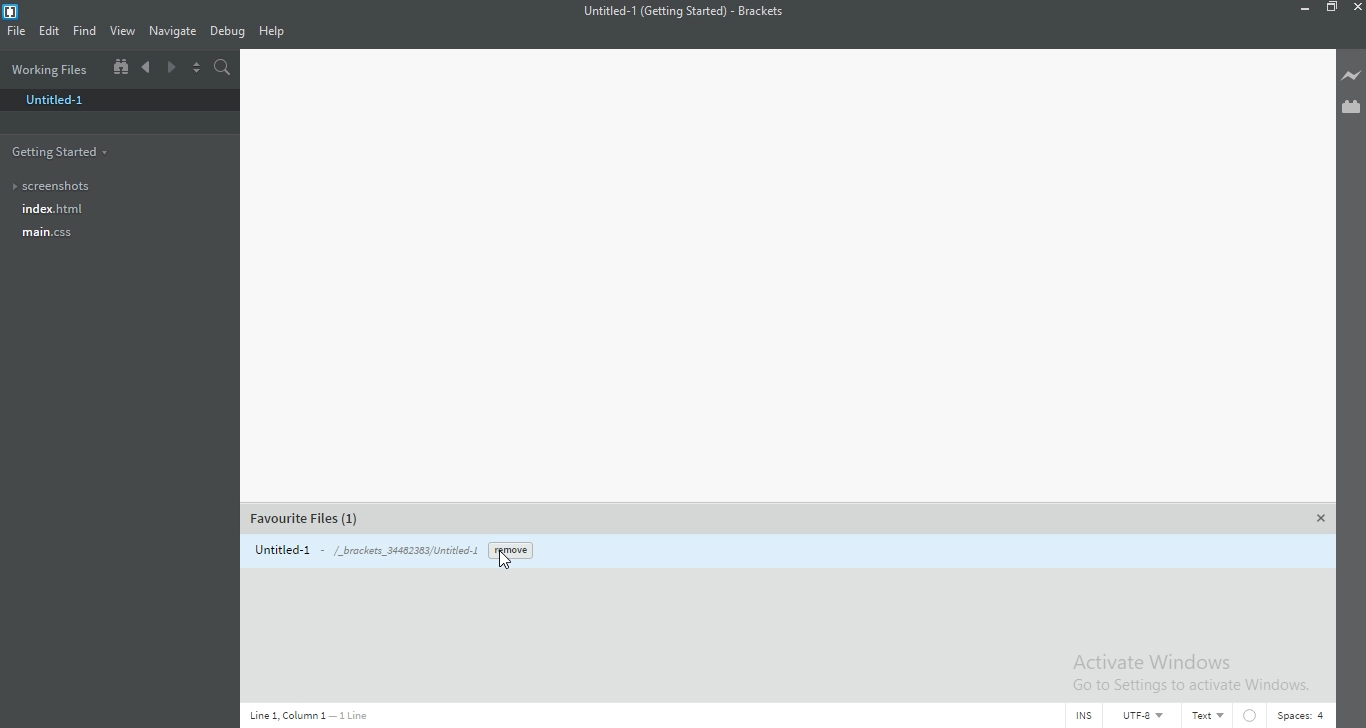  I want to click on Edit, so click(50, 33).